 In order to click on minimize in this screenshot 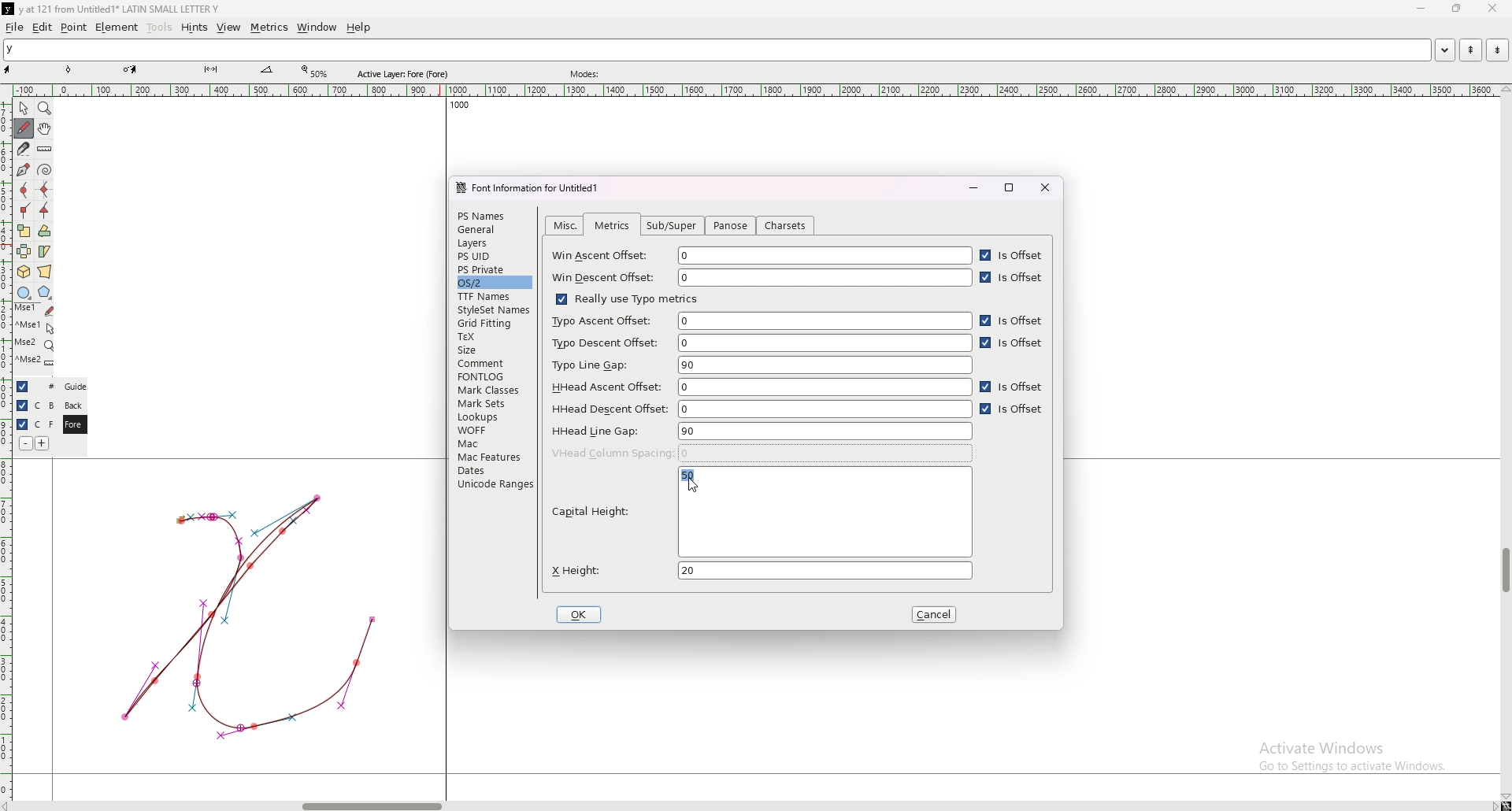, I will do `click(1423, 9)`.